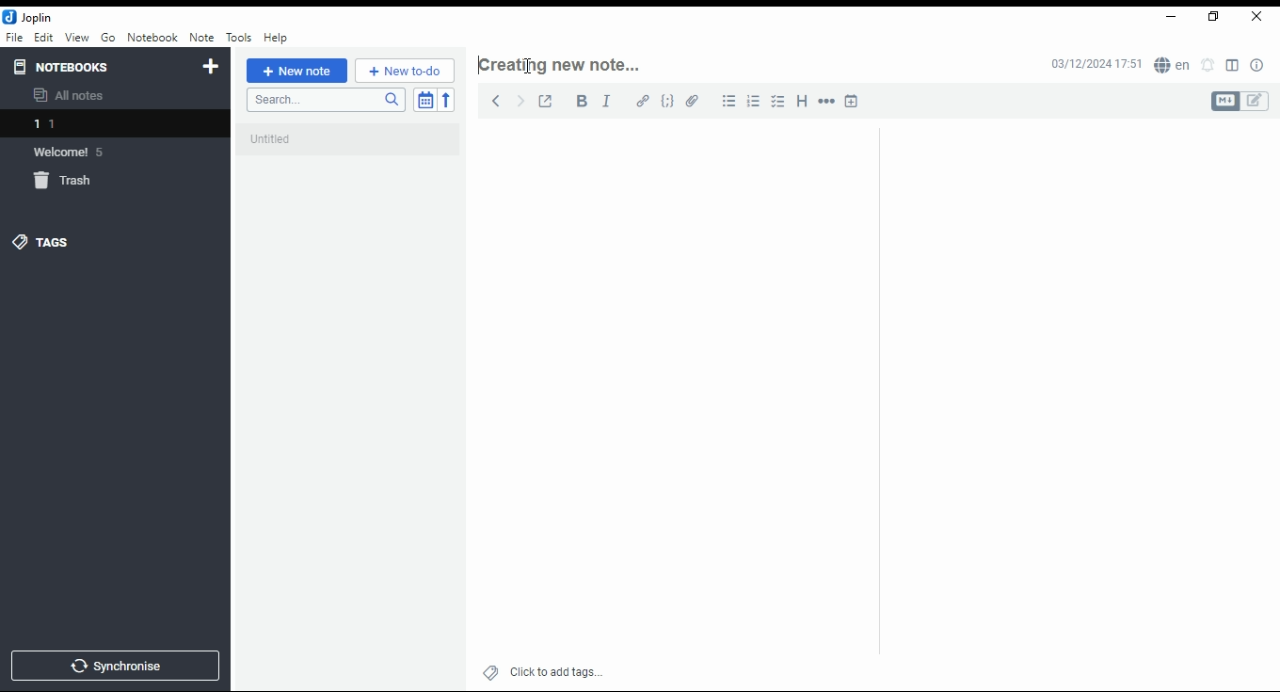 This screenshot has height=692, width=1280. Describe the element at coordinates (74, 96) in the screenshot. I see `all notes` at that location.